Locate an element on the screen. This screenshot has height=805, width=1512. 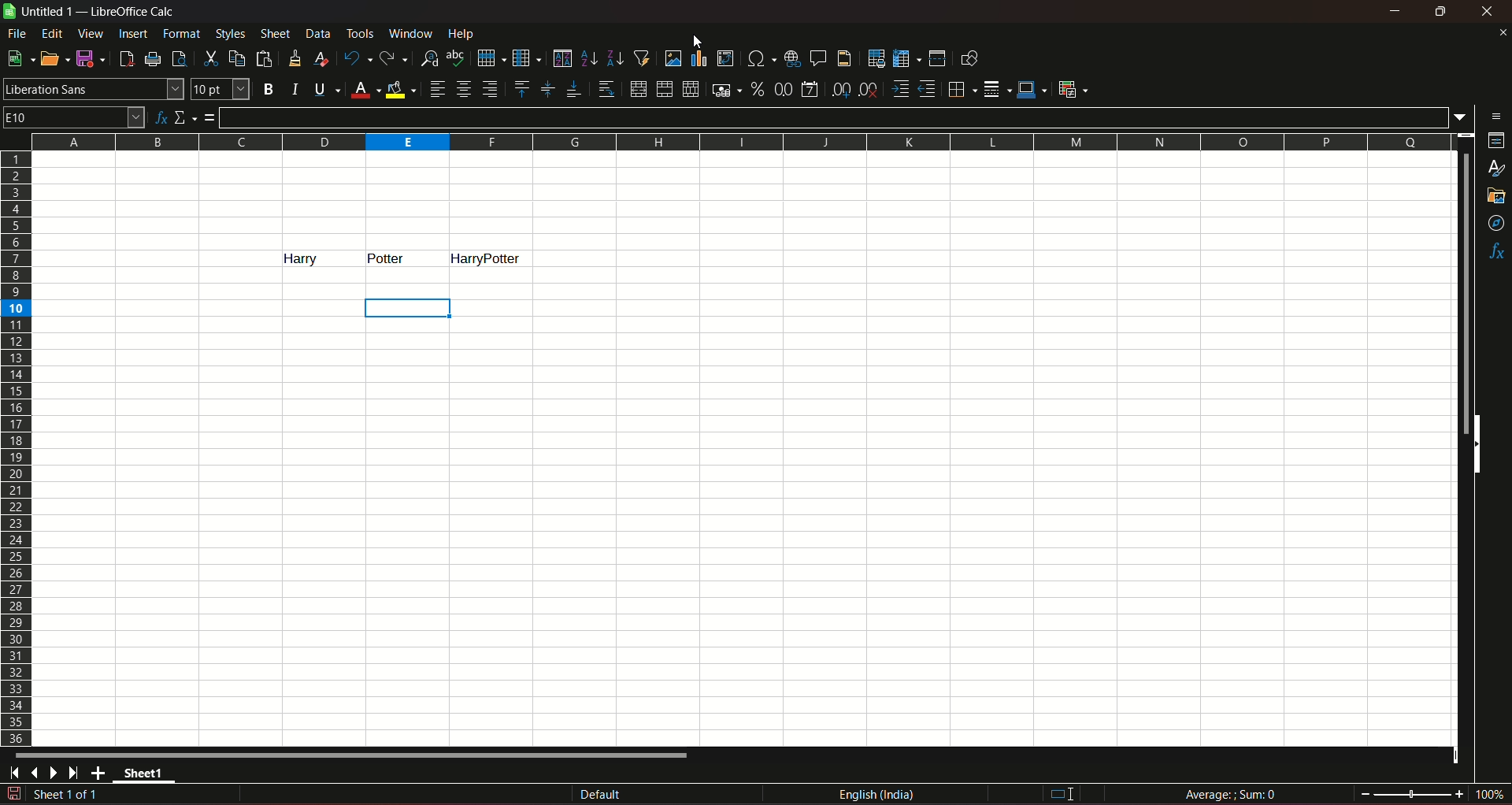
expand formula bar is located at coordinates (1464, 116).